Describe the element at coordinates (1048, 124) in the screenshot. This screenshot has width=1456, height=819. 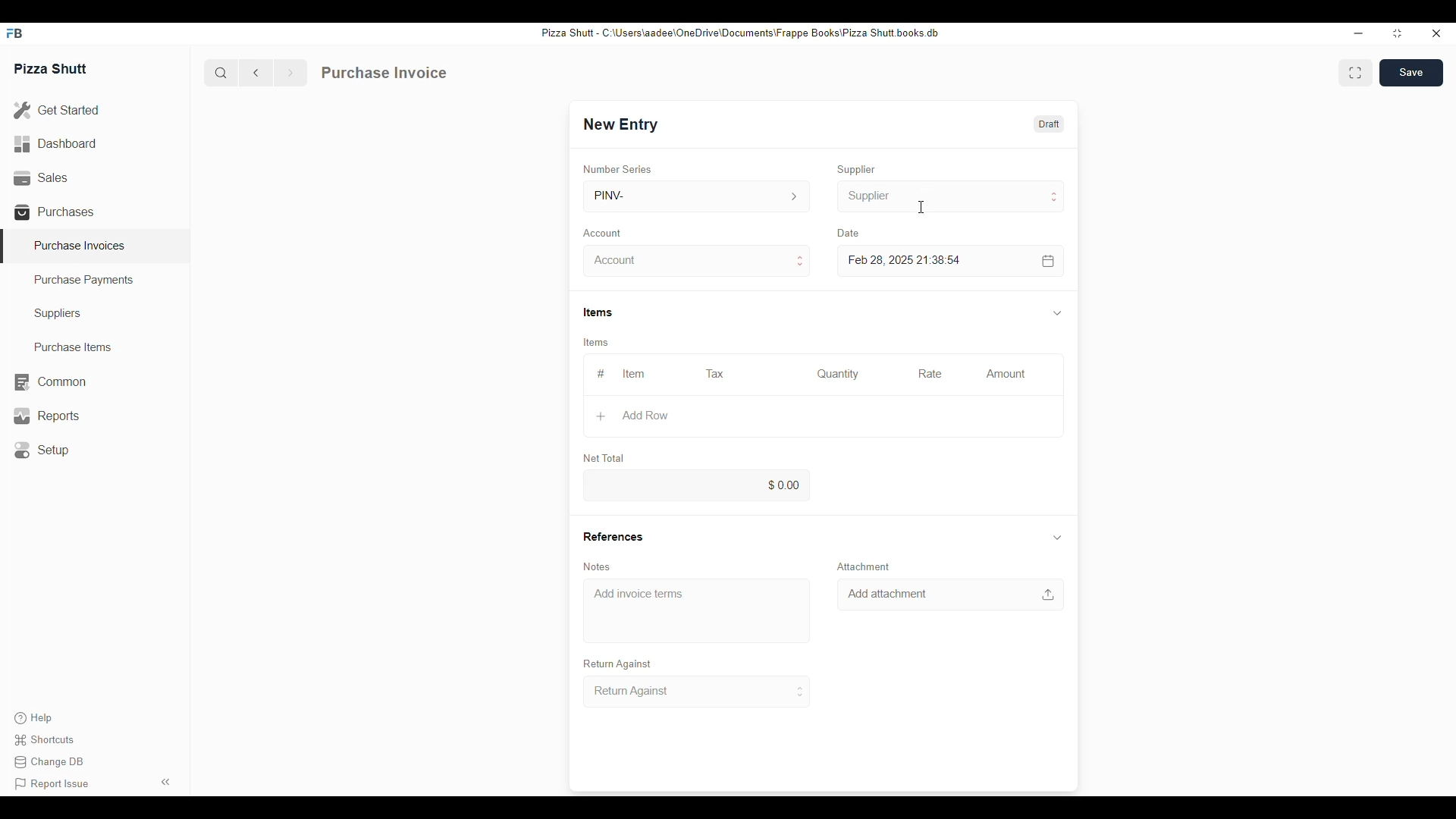
I see `Draft` at that location.